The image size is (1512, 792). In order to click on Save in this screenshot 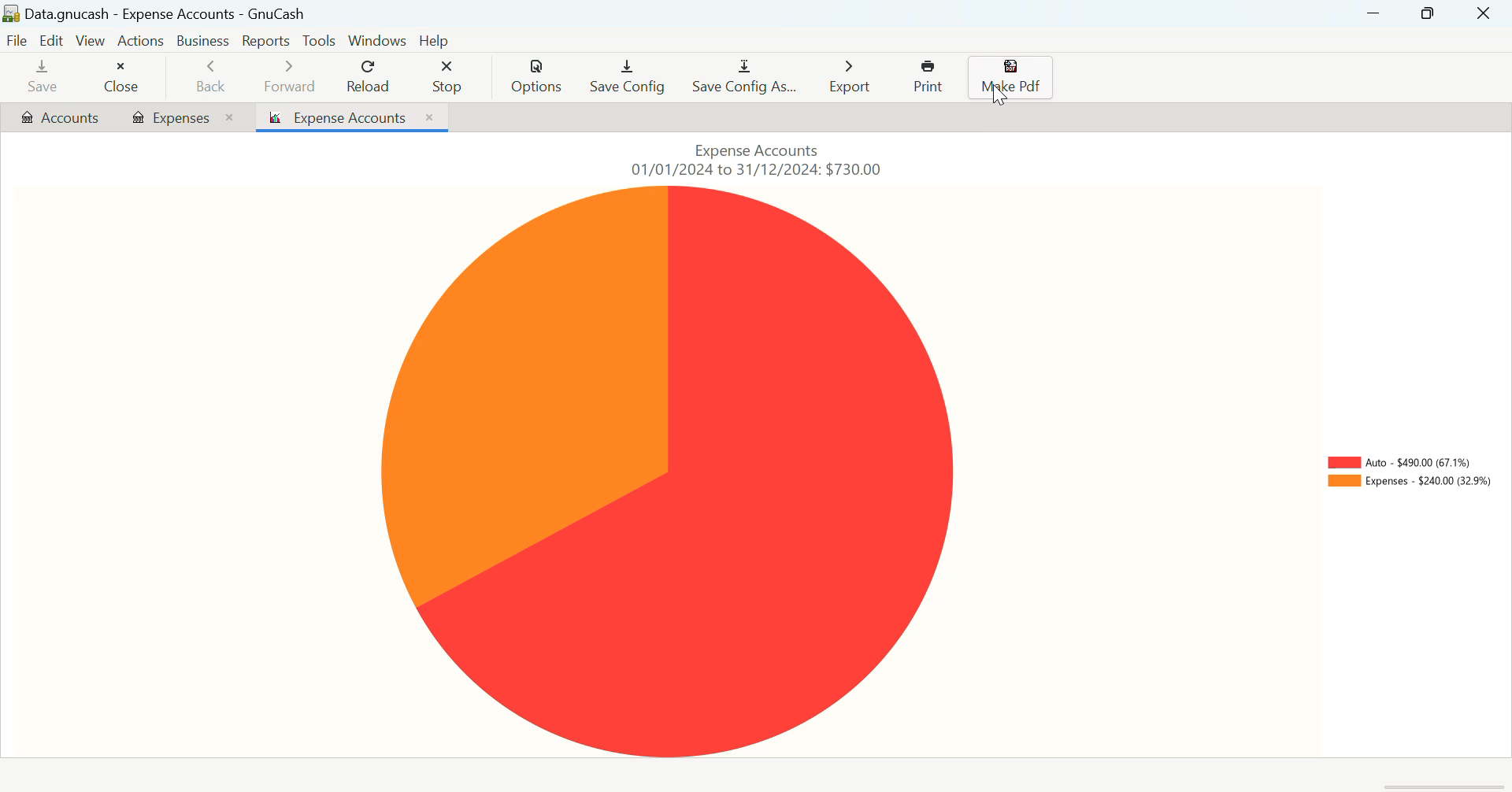, I will do `click(43, 77)`.